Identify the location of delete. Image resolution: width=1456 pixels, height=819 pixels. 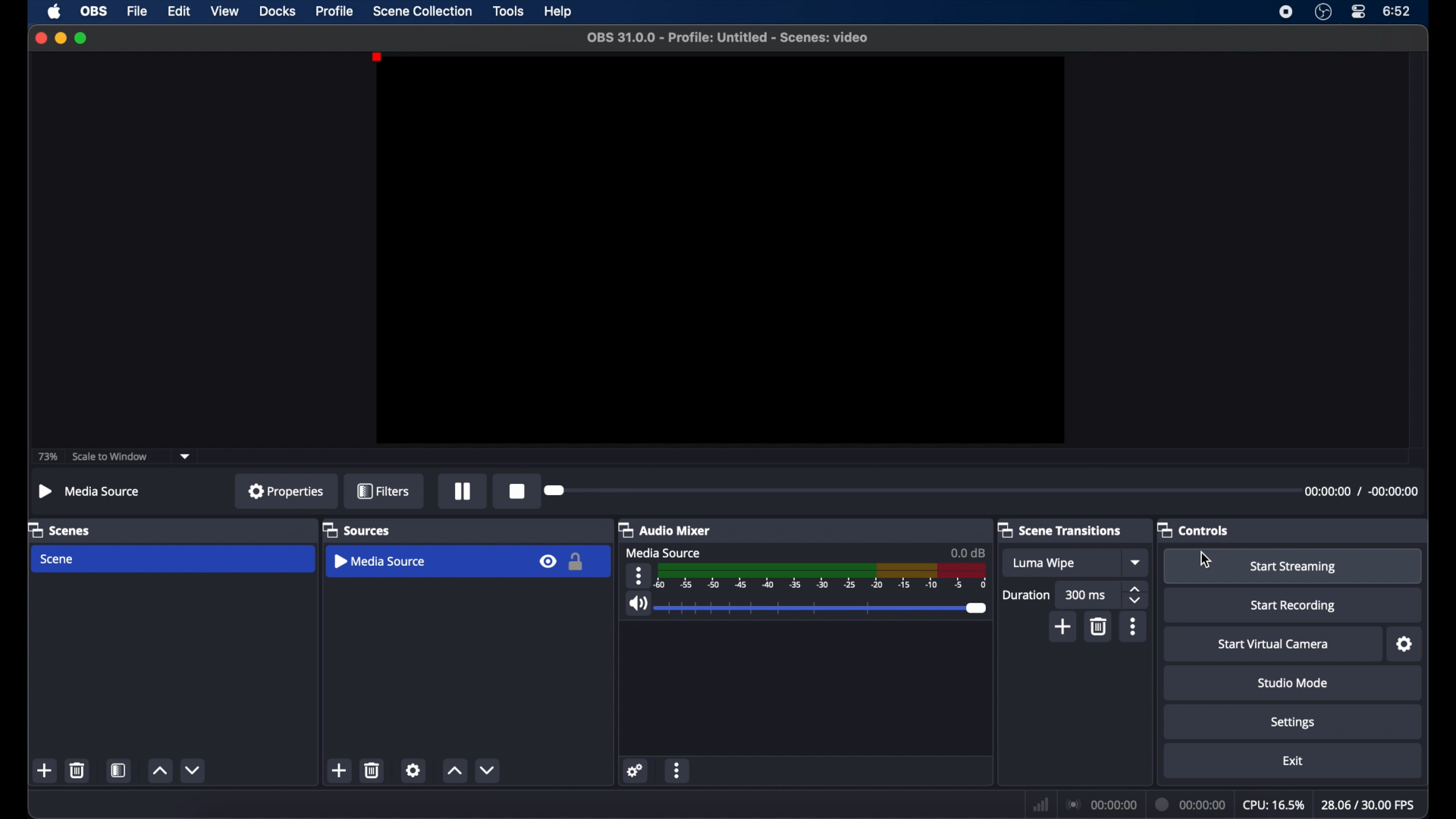
(372, 770).